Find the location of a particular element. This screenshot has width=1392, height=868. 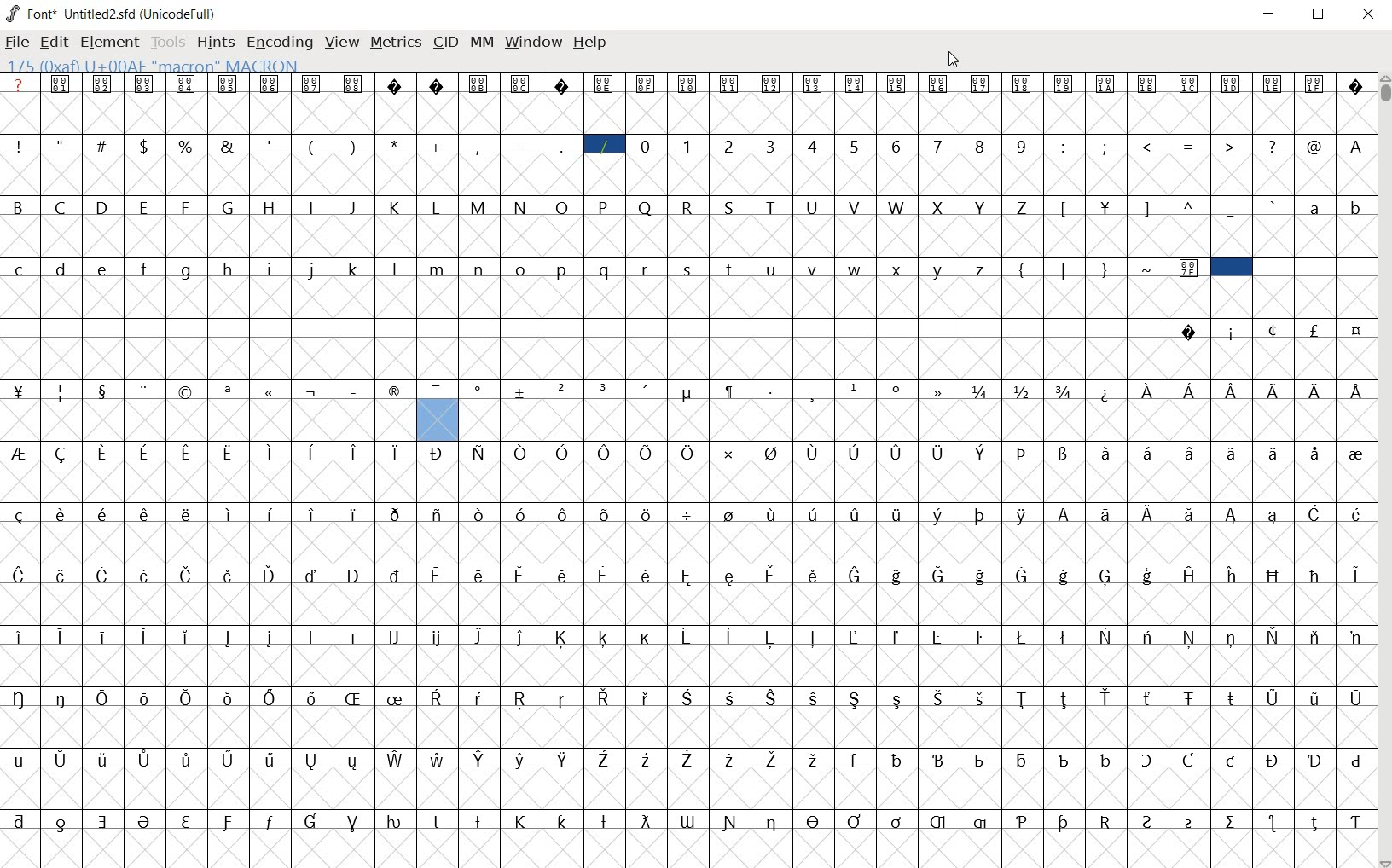

Symbol is located at coordinates (272, 514).